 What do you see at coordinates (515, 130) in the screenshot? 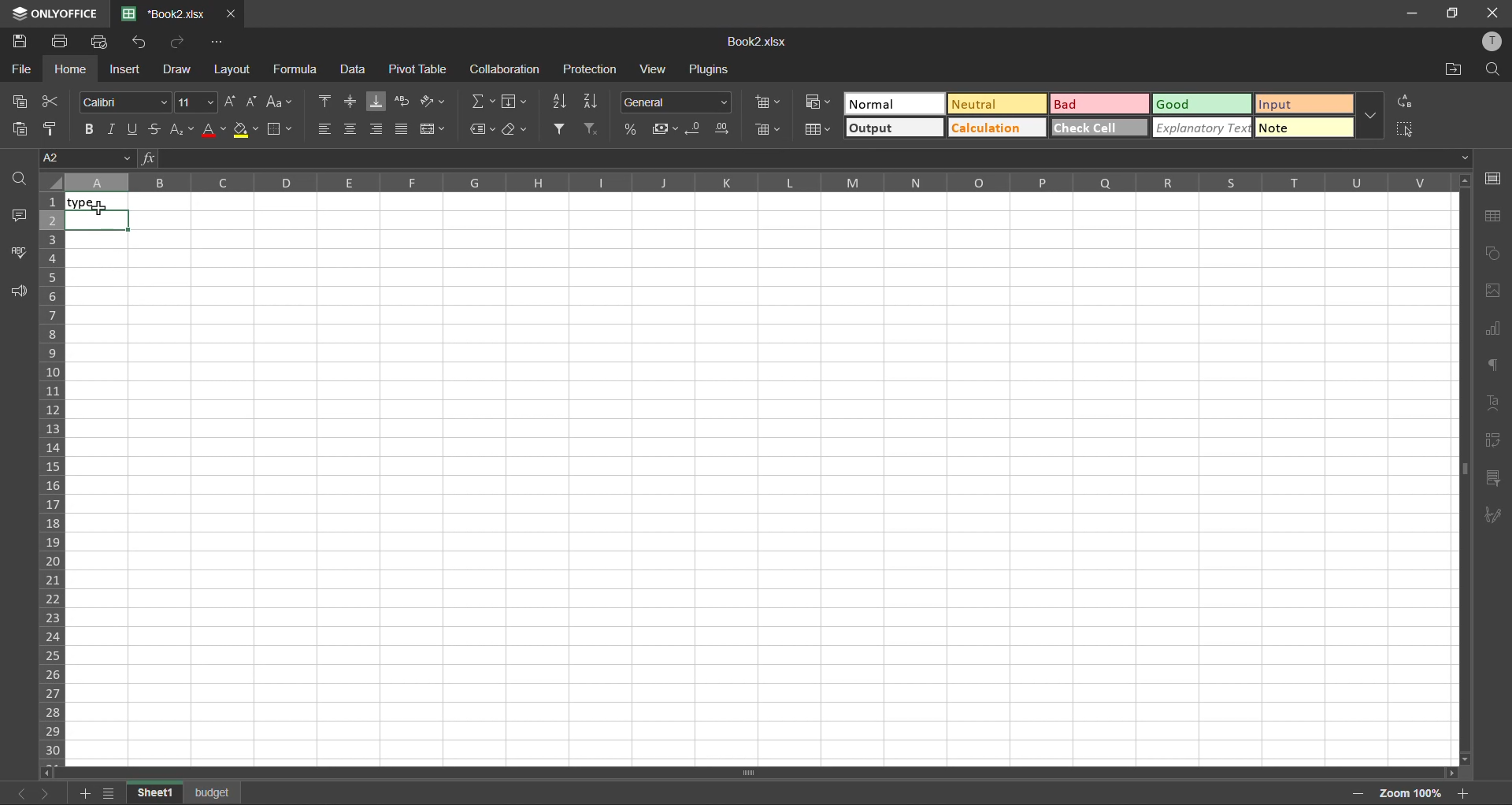
I see `clear` at bounding box center [515, 130].